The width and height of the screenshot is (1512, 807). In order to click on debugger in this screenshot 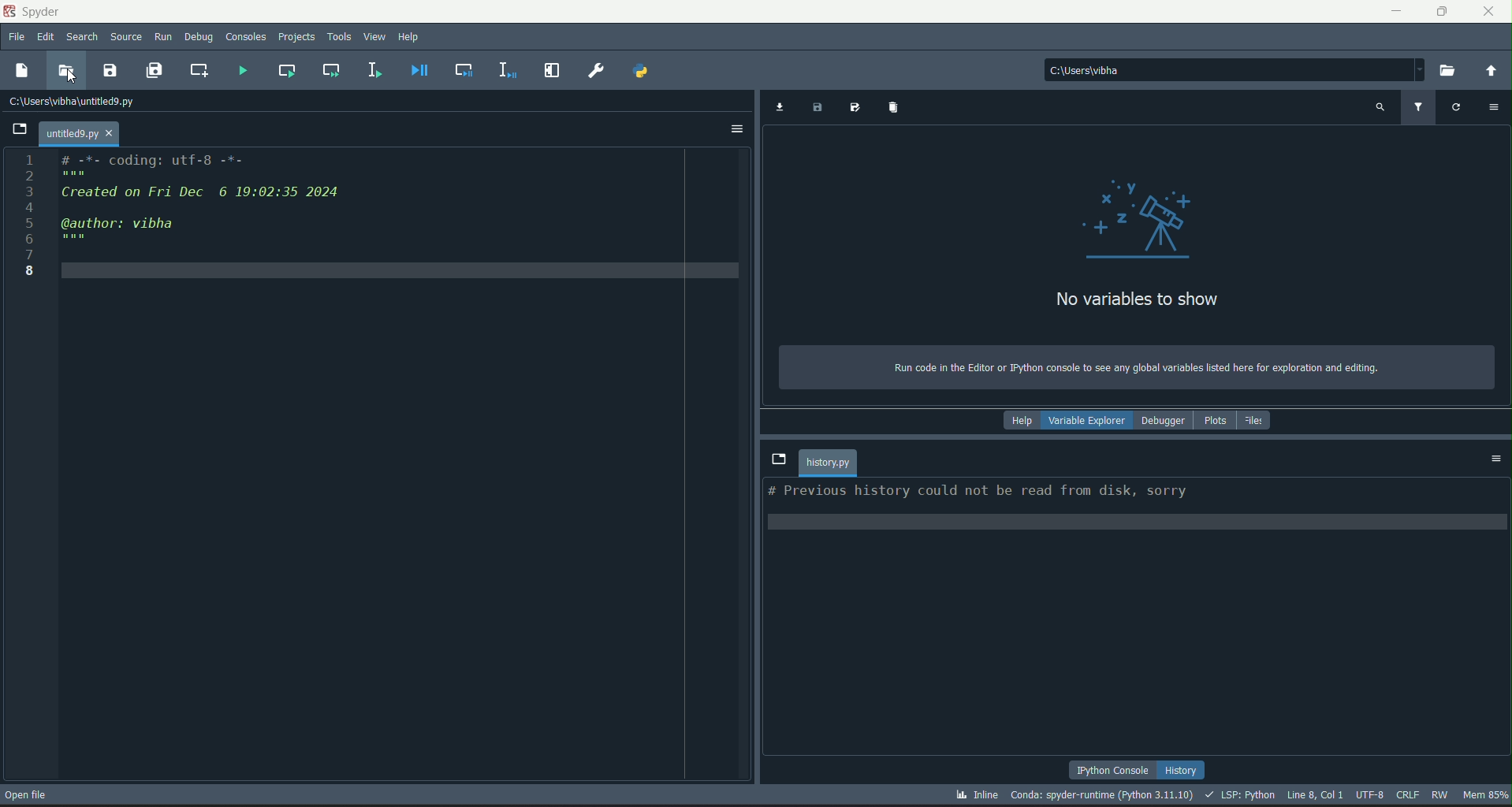, I will do `click(1164, 419)`.